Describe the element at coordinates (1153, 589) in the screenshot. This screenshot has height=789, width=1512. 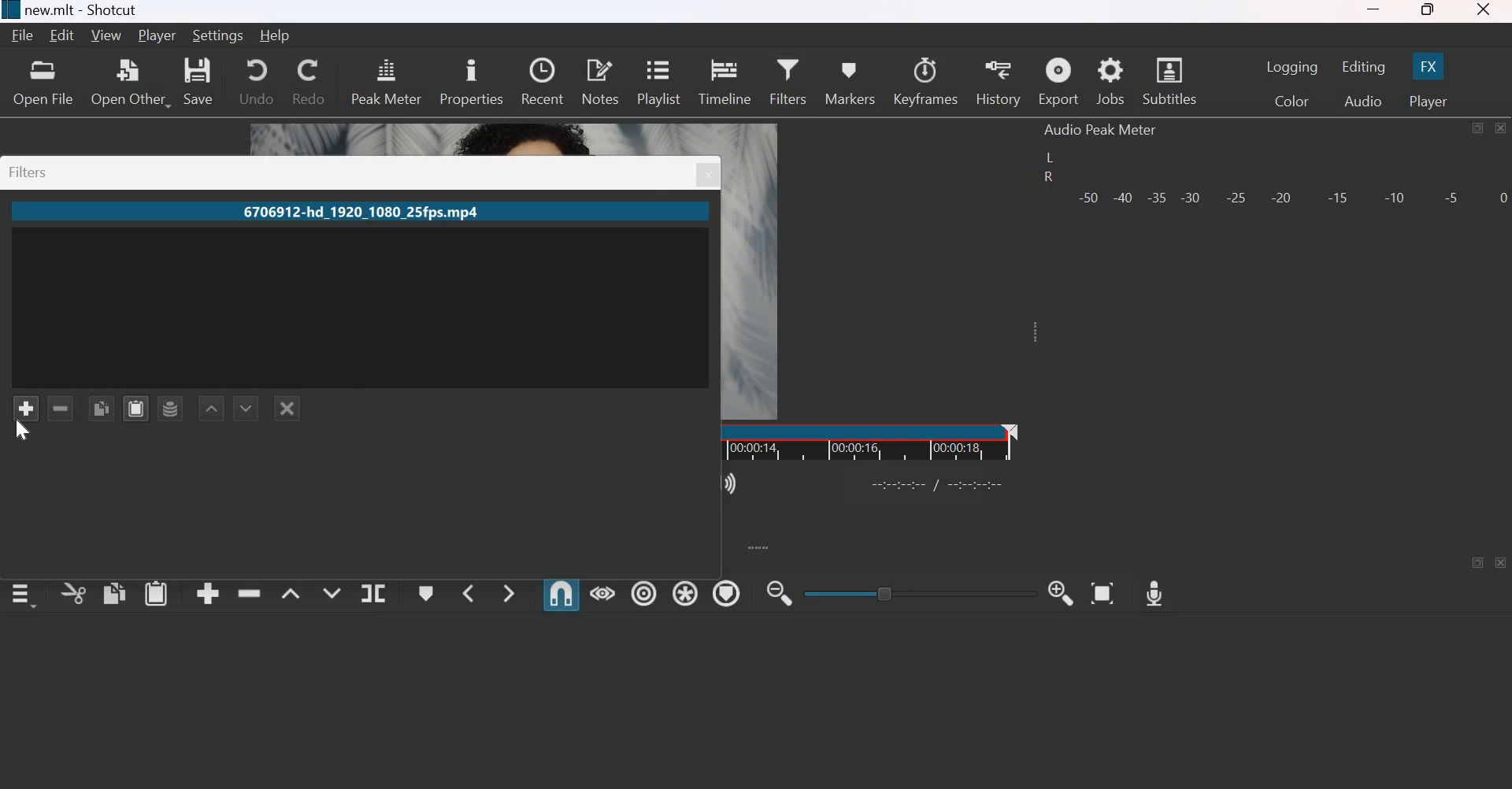
I see `Record Audio` at that location.